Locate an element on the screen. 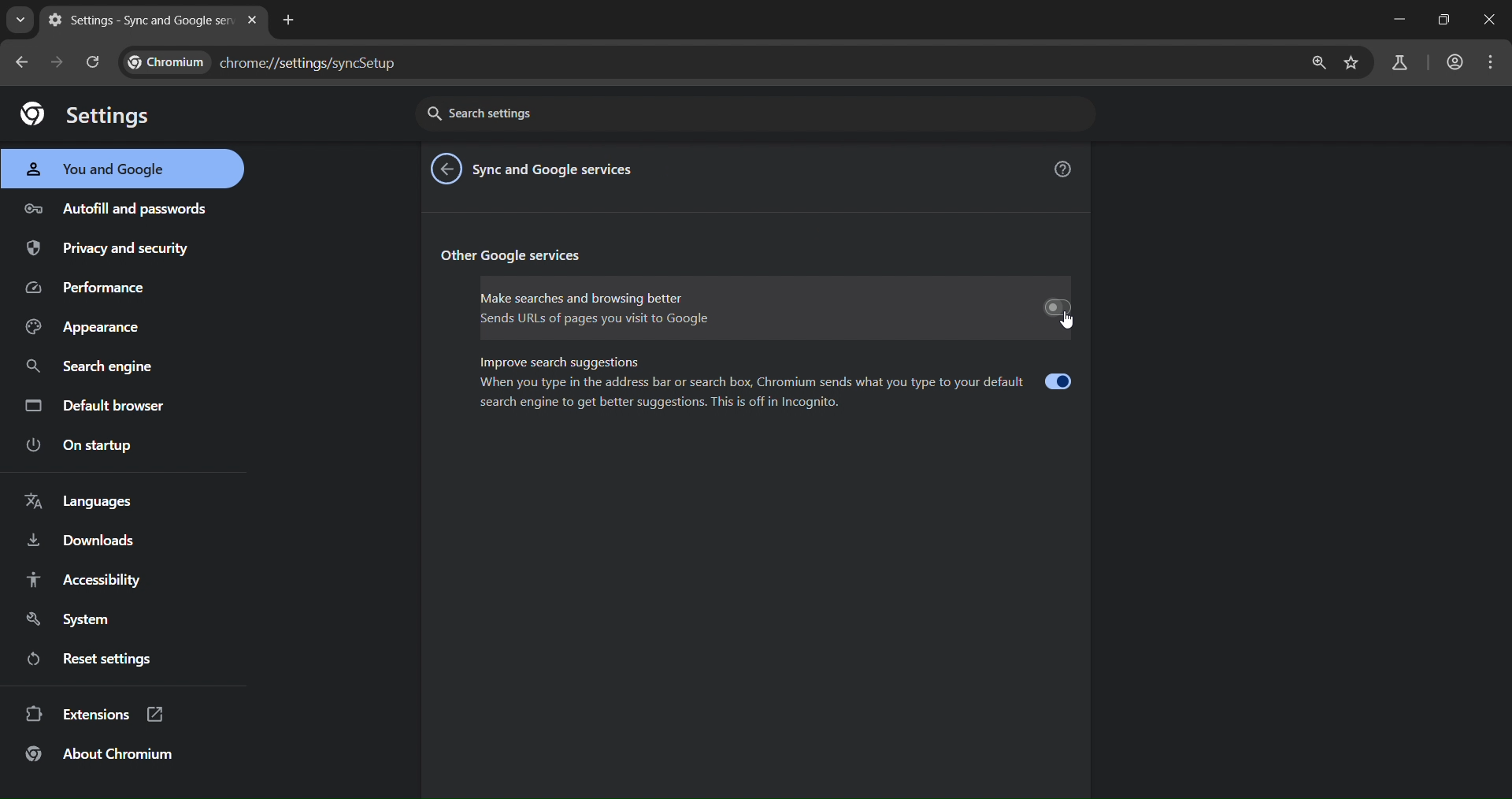 The width and height of the screenshot is (1512, 799). default browser is located at coordinates (96, 405).